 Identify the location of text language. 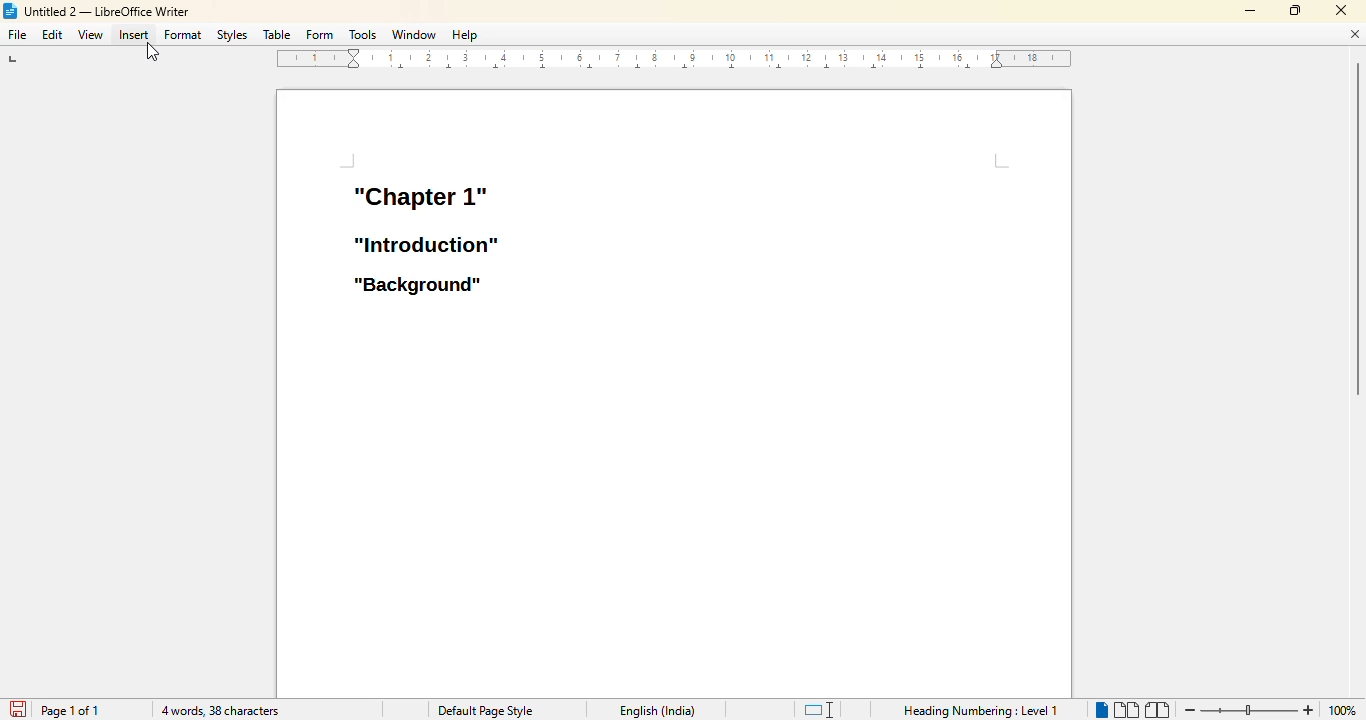
(658, 711).